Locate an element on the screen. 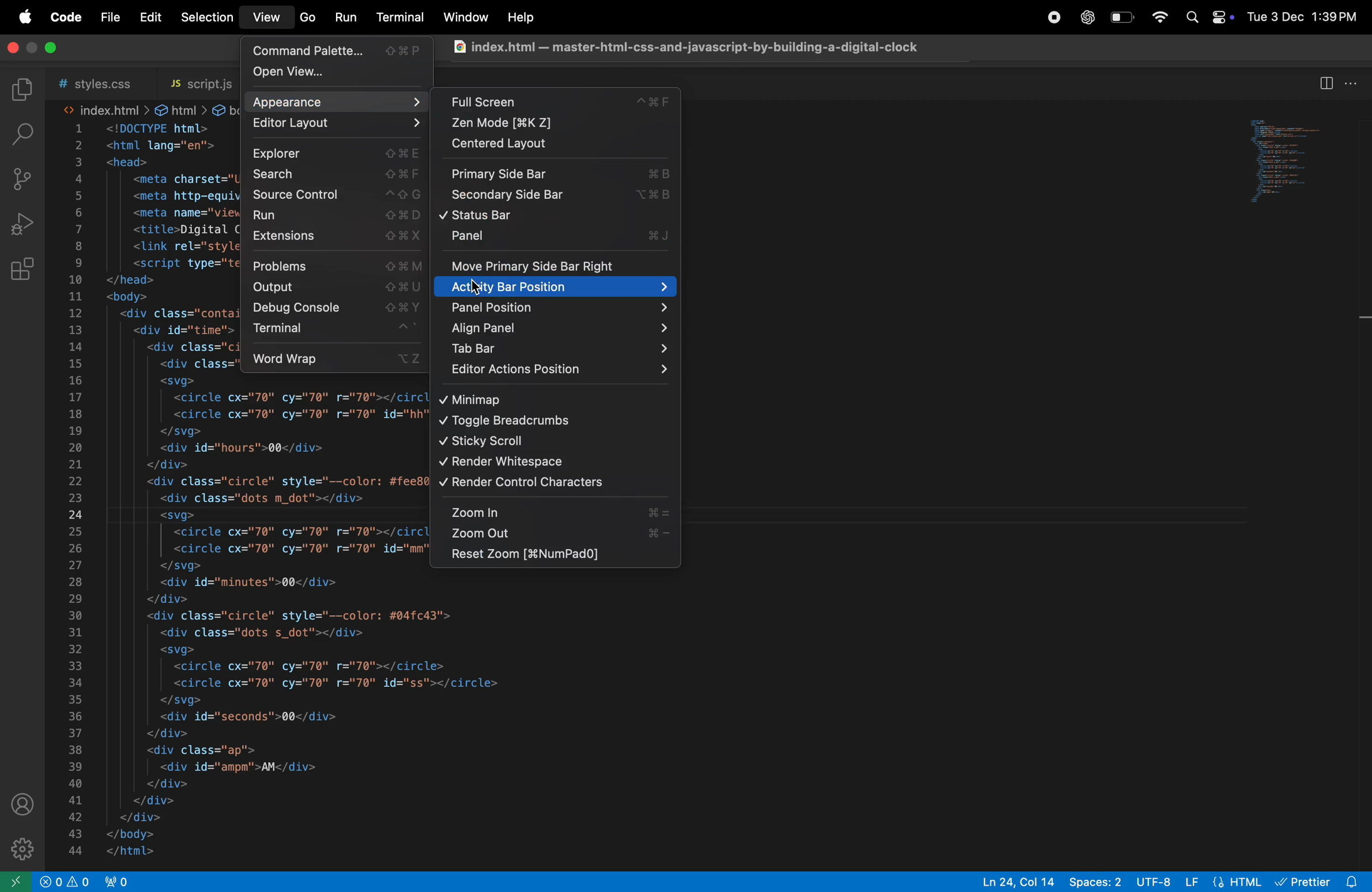 The height and width of the screenshot is (892, 1372). debug console is located at coordinates (335, 309).